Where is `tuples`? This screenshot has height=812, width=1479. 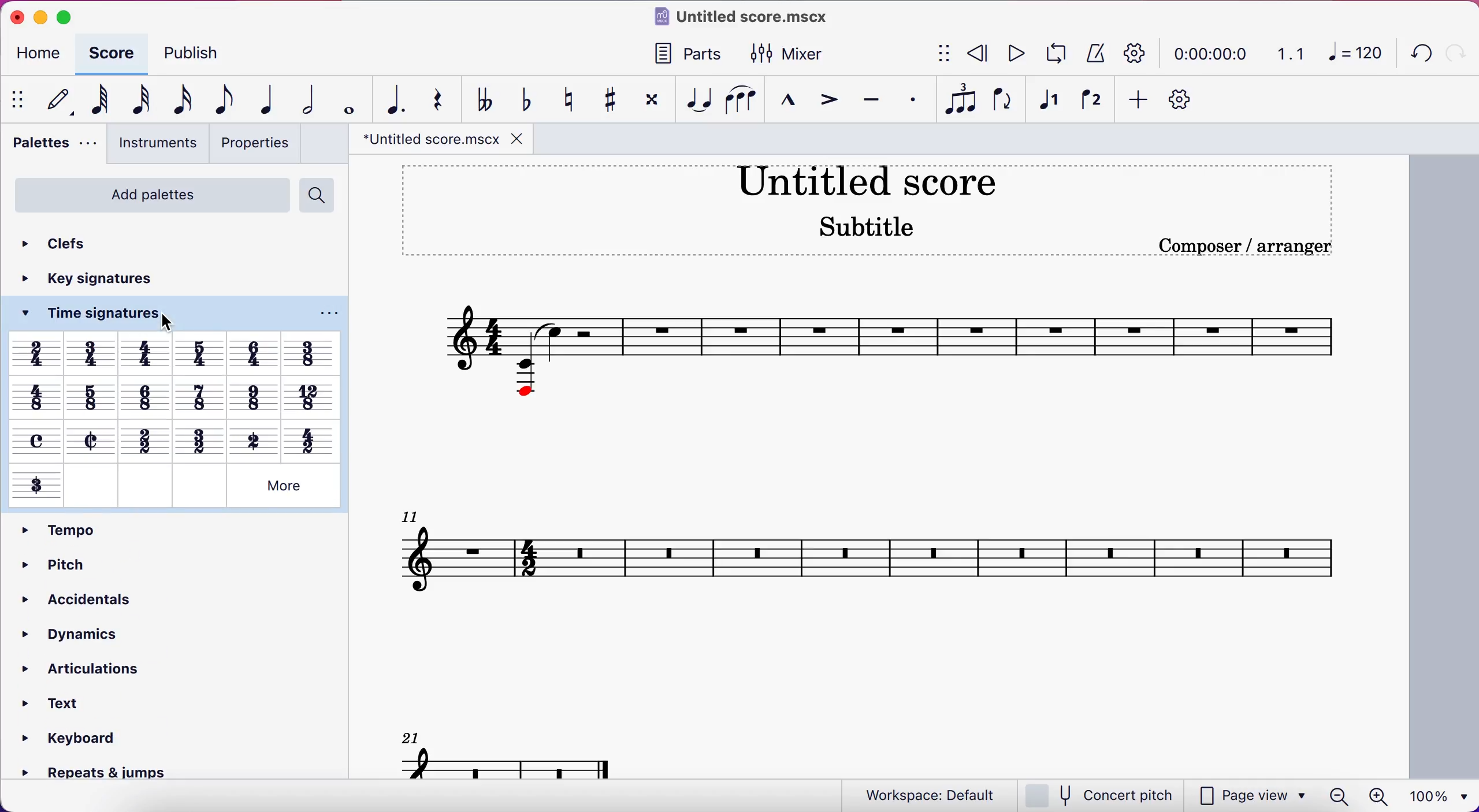 tuples is located at coordinates (958, 100).